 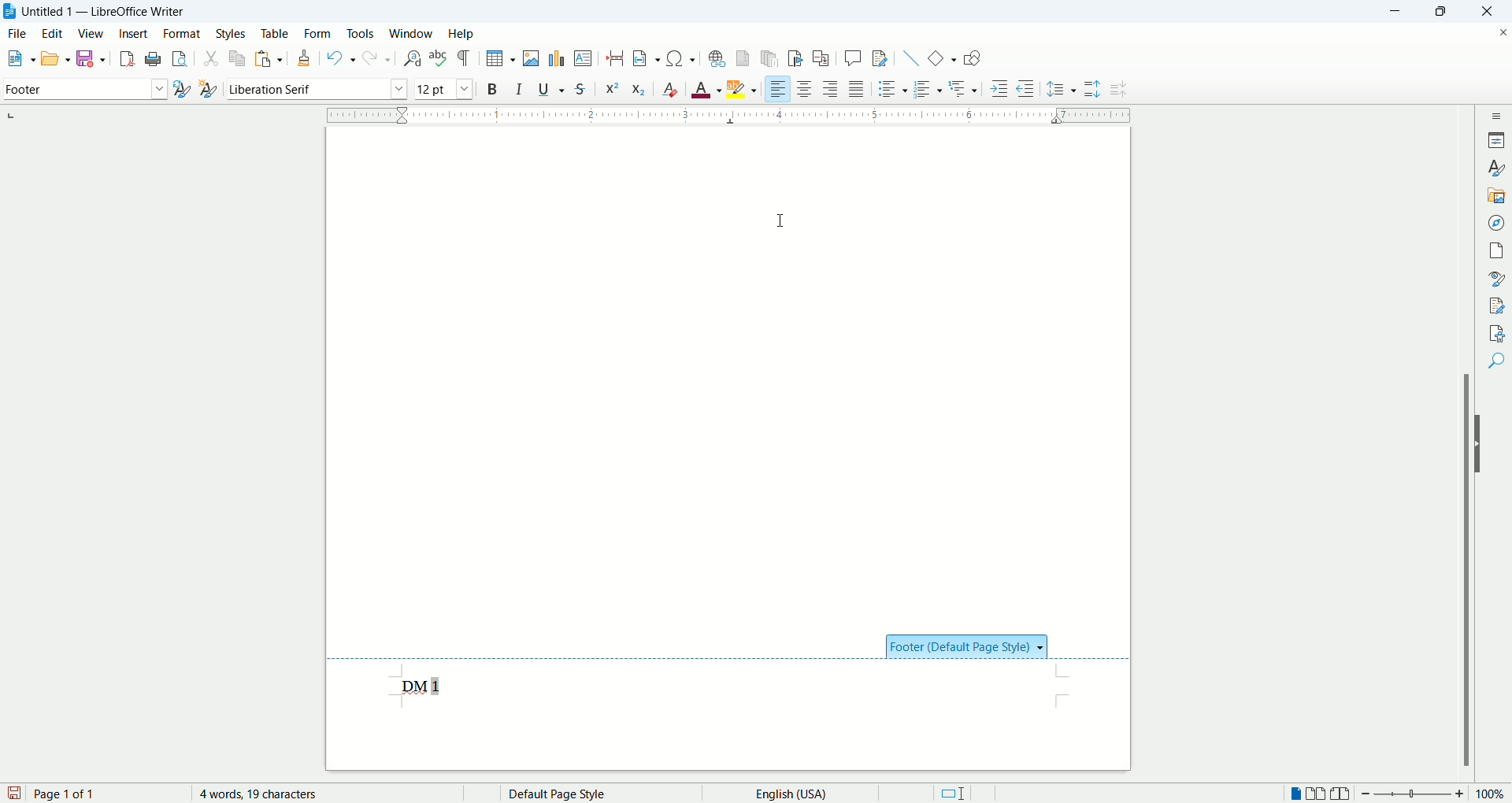 What do you see at coordinates (1482, 444) in the screenshot?
I see `hide` at bounding box center [1482, 444].